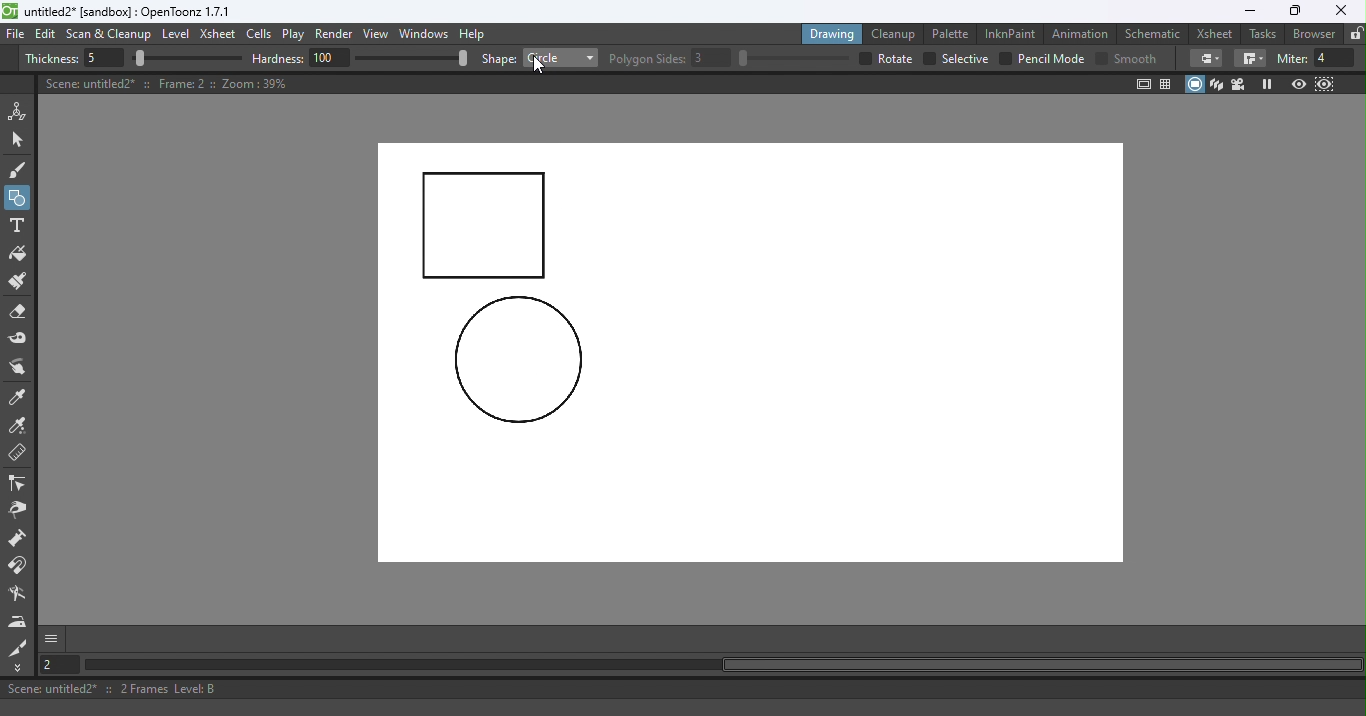 The width and height of the screenshot is (1366, 716). Describe the element at coordinates (17, 513) in the screenshot. I see `Pinch tool` at that location.